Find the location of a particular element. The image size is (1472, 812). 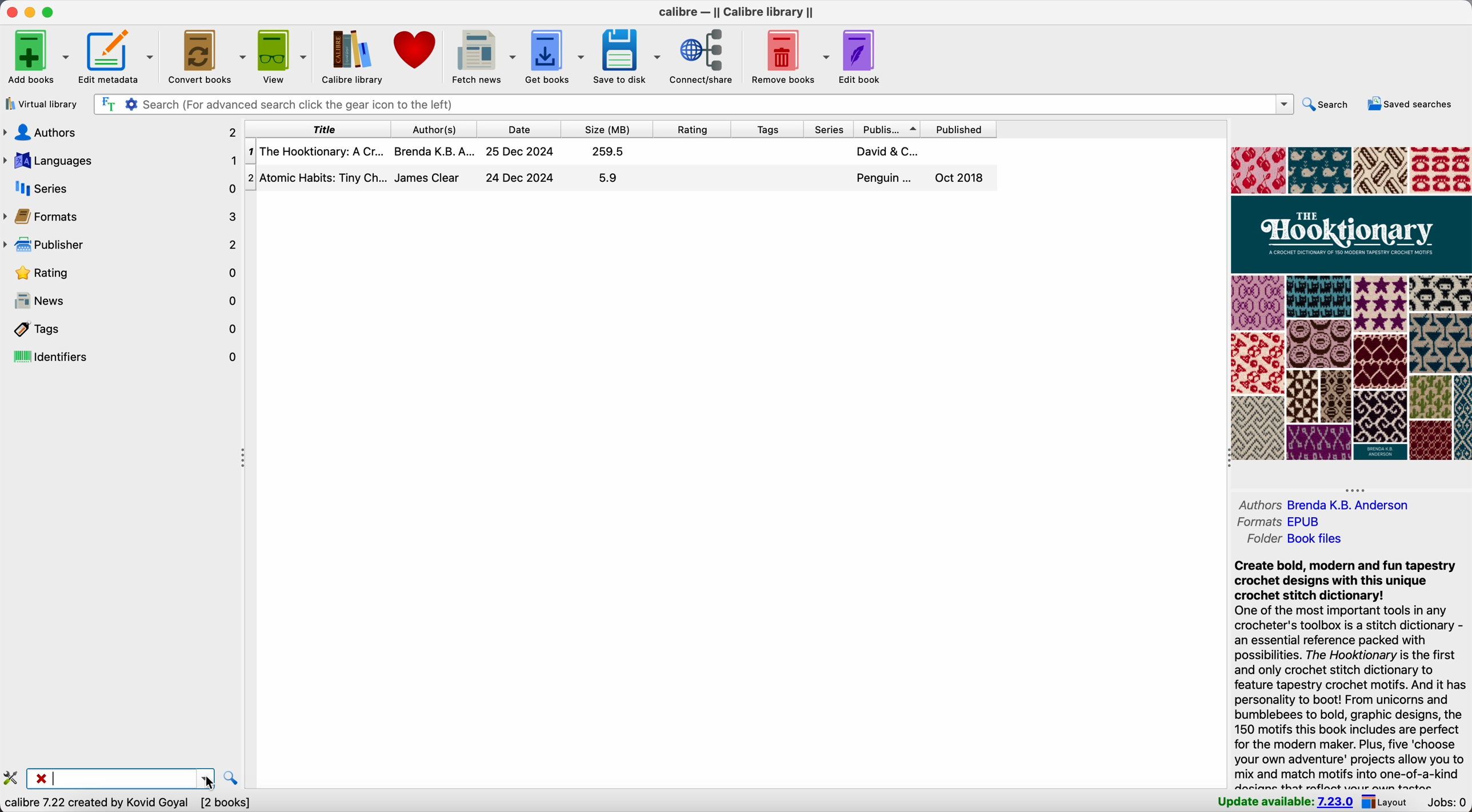

convert books is located at coordinates (210, 56).